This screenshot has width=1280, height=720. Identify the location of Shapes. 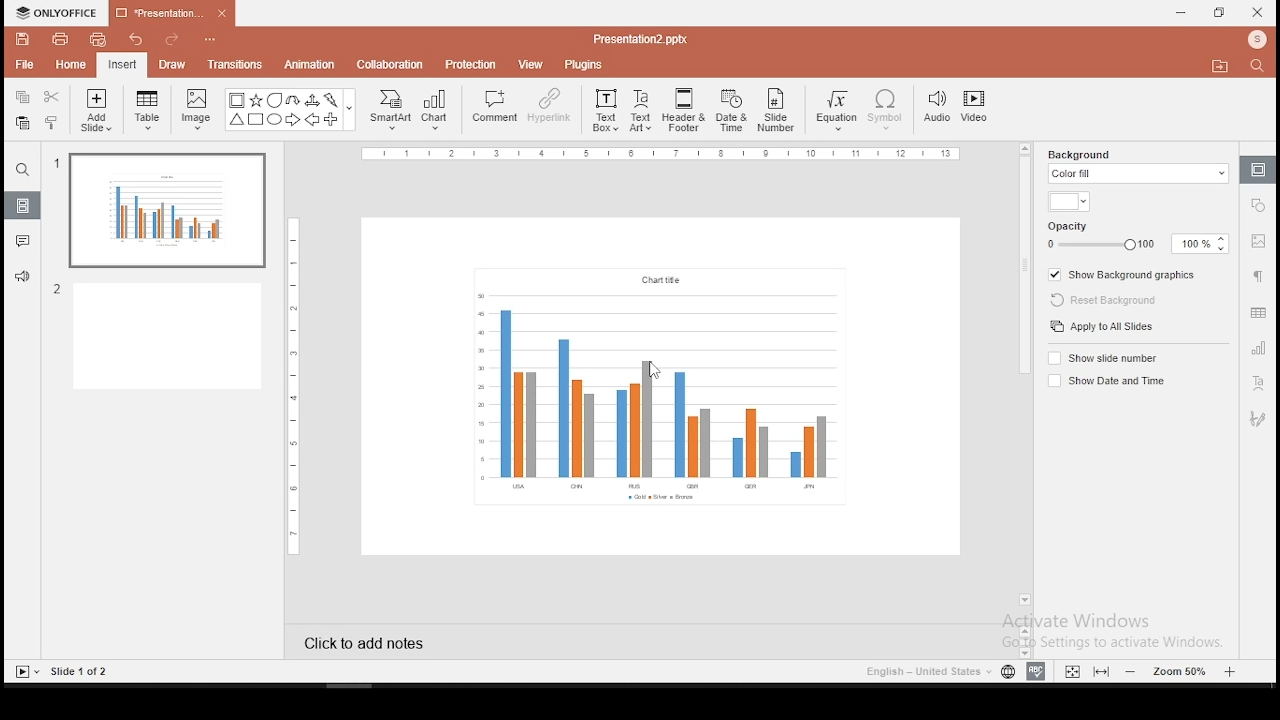
(287, 112).